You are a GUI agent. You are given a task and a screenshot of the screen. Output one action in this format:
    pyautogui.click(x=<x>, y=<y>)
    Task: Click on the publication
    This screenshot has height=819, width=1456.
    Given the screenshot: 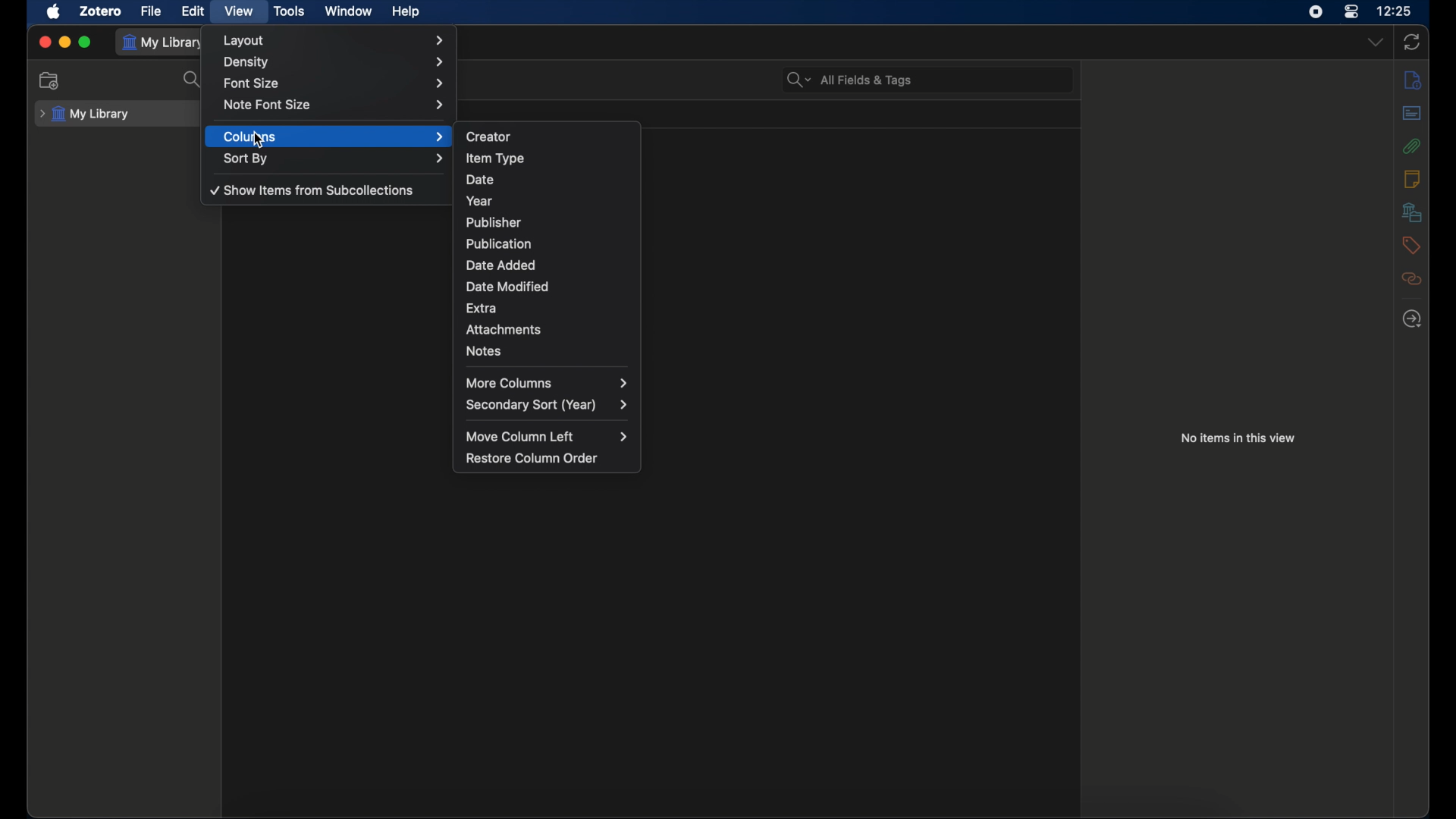 What is the action you would take?
    pyautogui.click(x=499, y=243)
    